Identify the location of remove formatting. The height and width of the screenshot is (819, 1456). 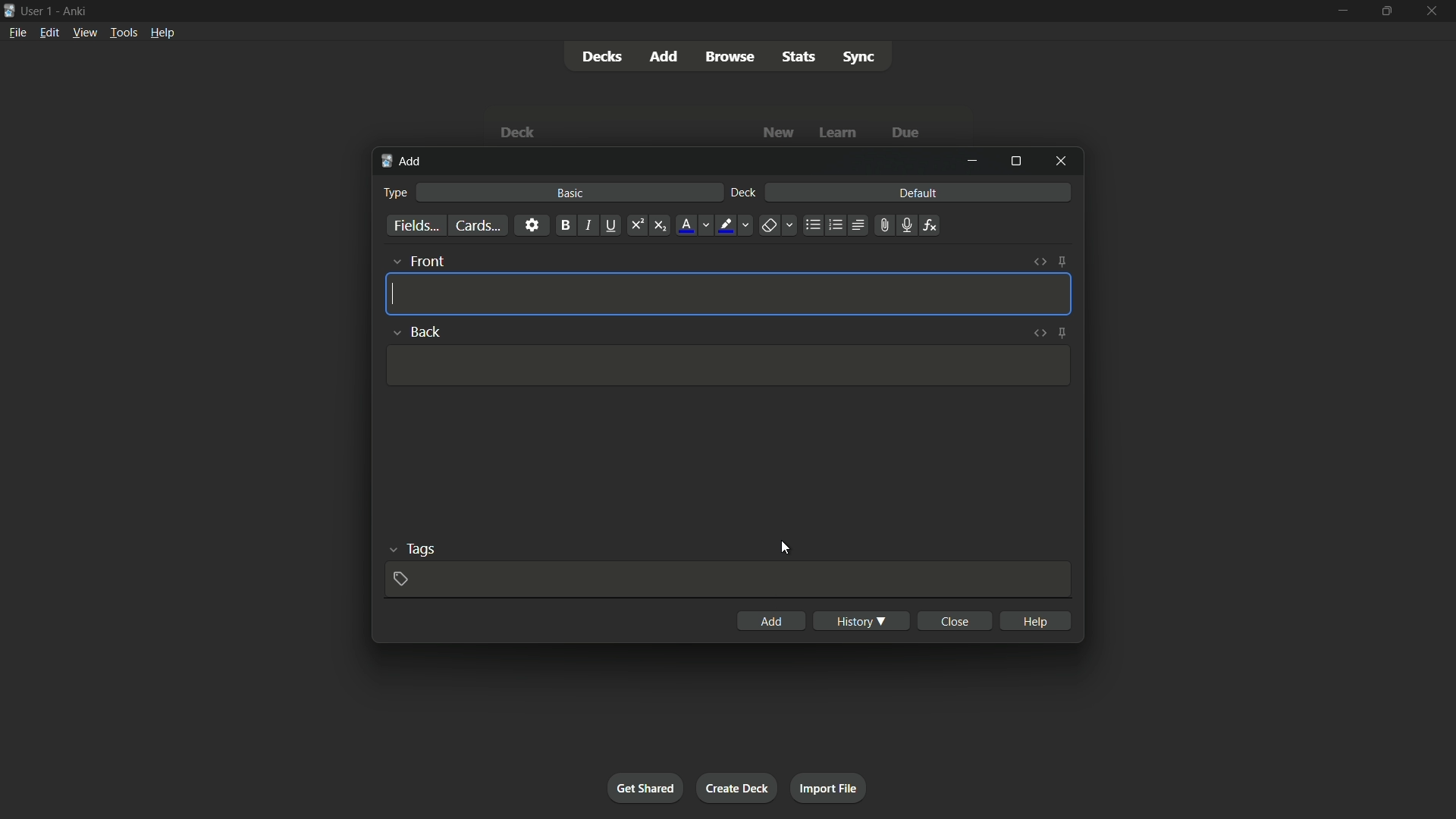
(779, 226).